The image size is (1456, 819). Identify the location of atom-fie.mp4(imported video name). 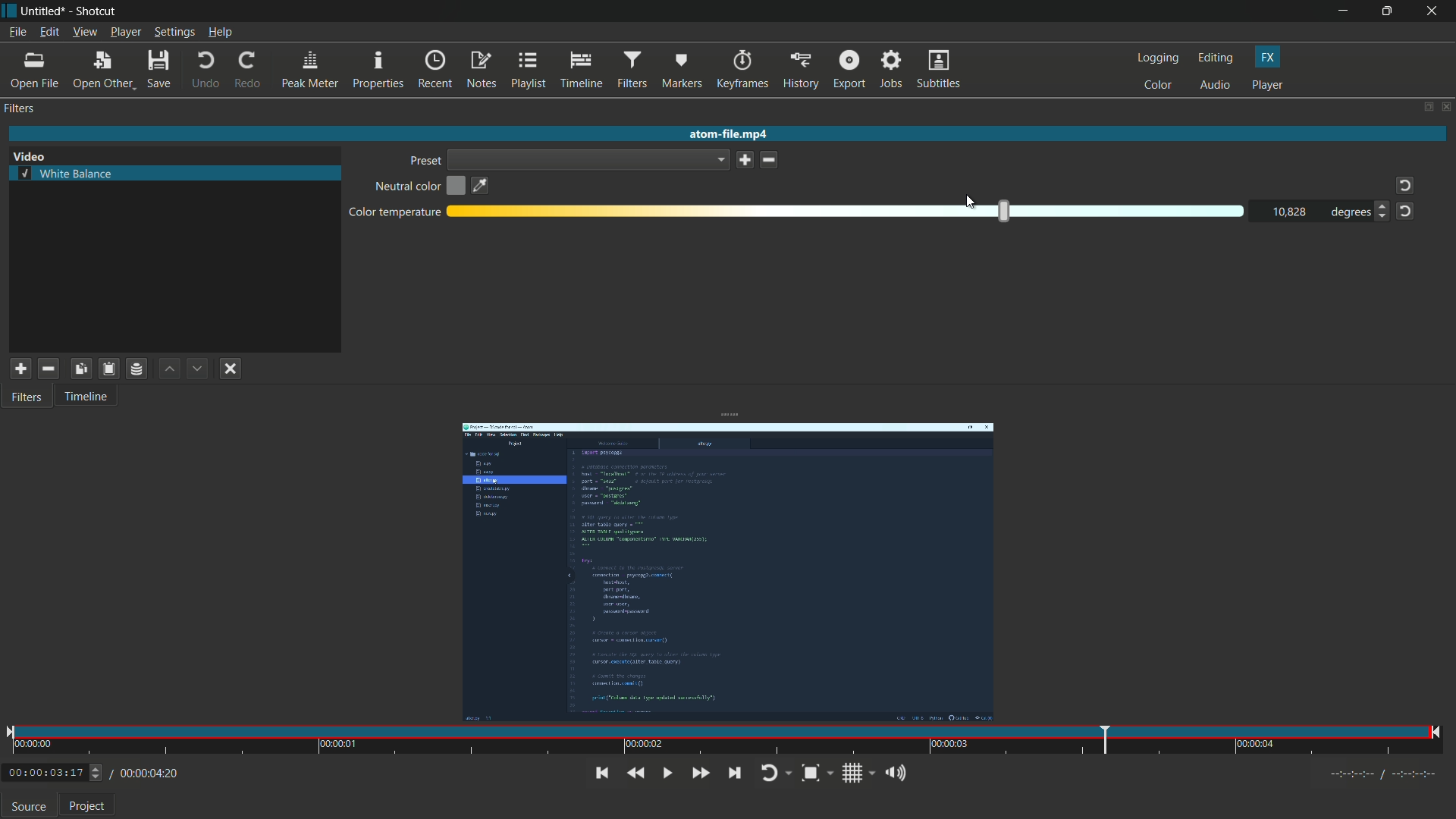
(725, 134).